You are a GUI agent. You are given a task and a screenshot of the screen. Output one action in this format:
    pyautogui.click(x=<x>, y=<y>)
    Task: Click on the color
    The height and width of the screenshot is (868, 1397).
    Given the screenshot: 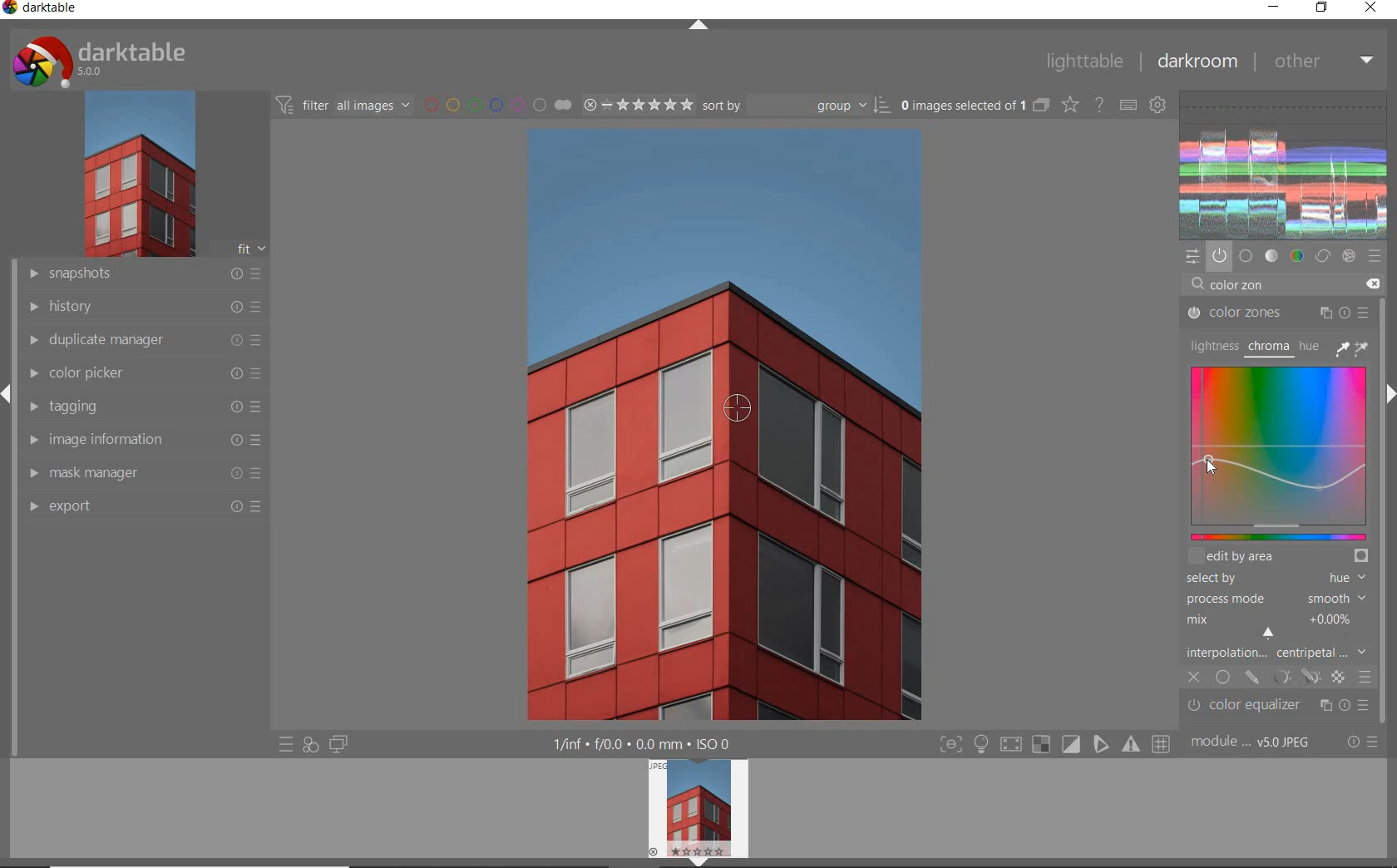 What is the action you would take?
    pyautogui.click(x=1296, y=256)
    